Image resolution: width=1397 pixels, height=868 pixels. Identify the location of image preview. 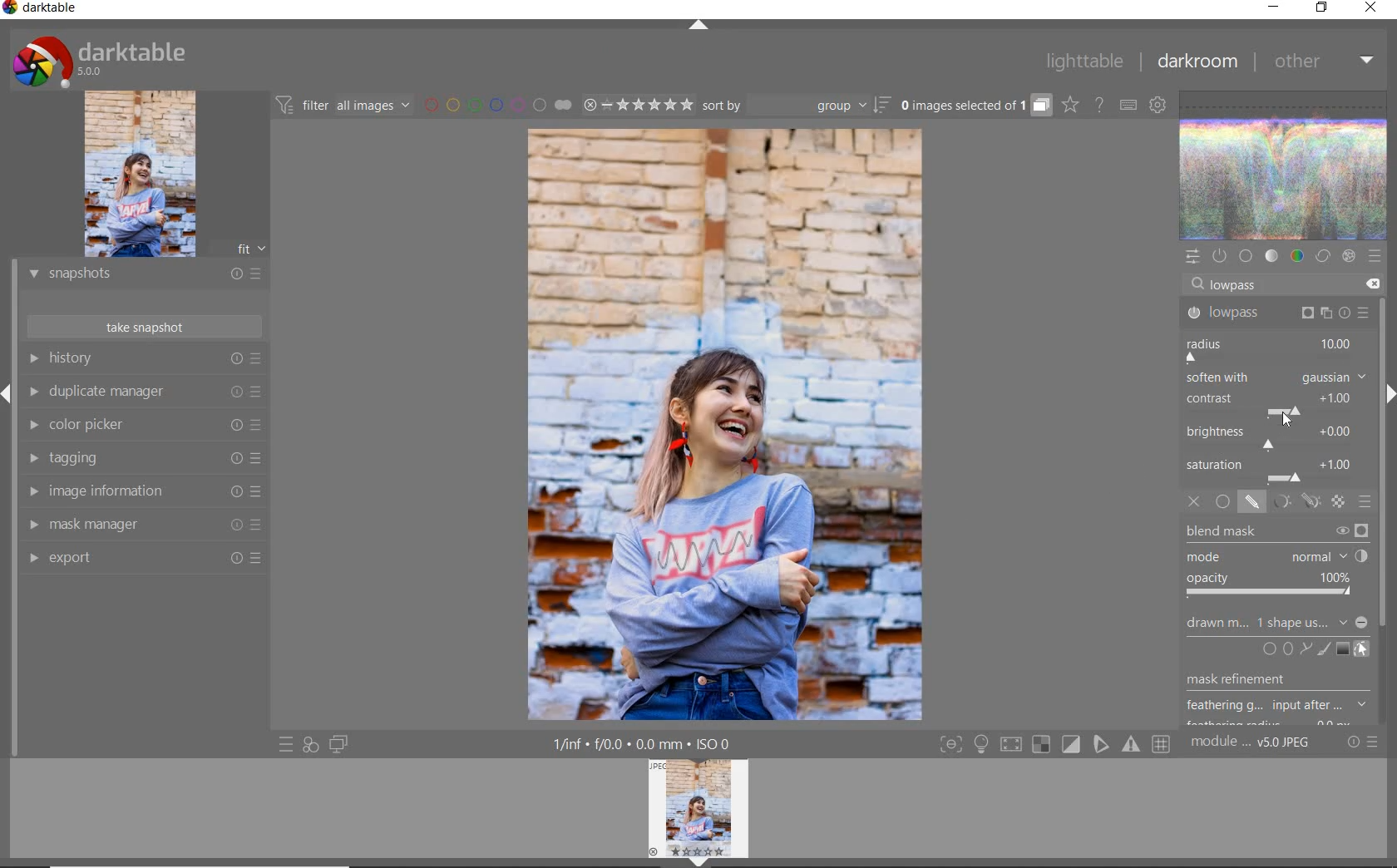
(163, 173).